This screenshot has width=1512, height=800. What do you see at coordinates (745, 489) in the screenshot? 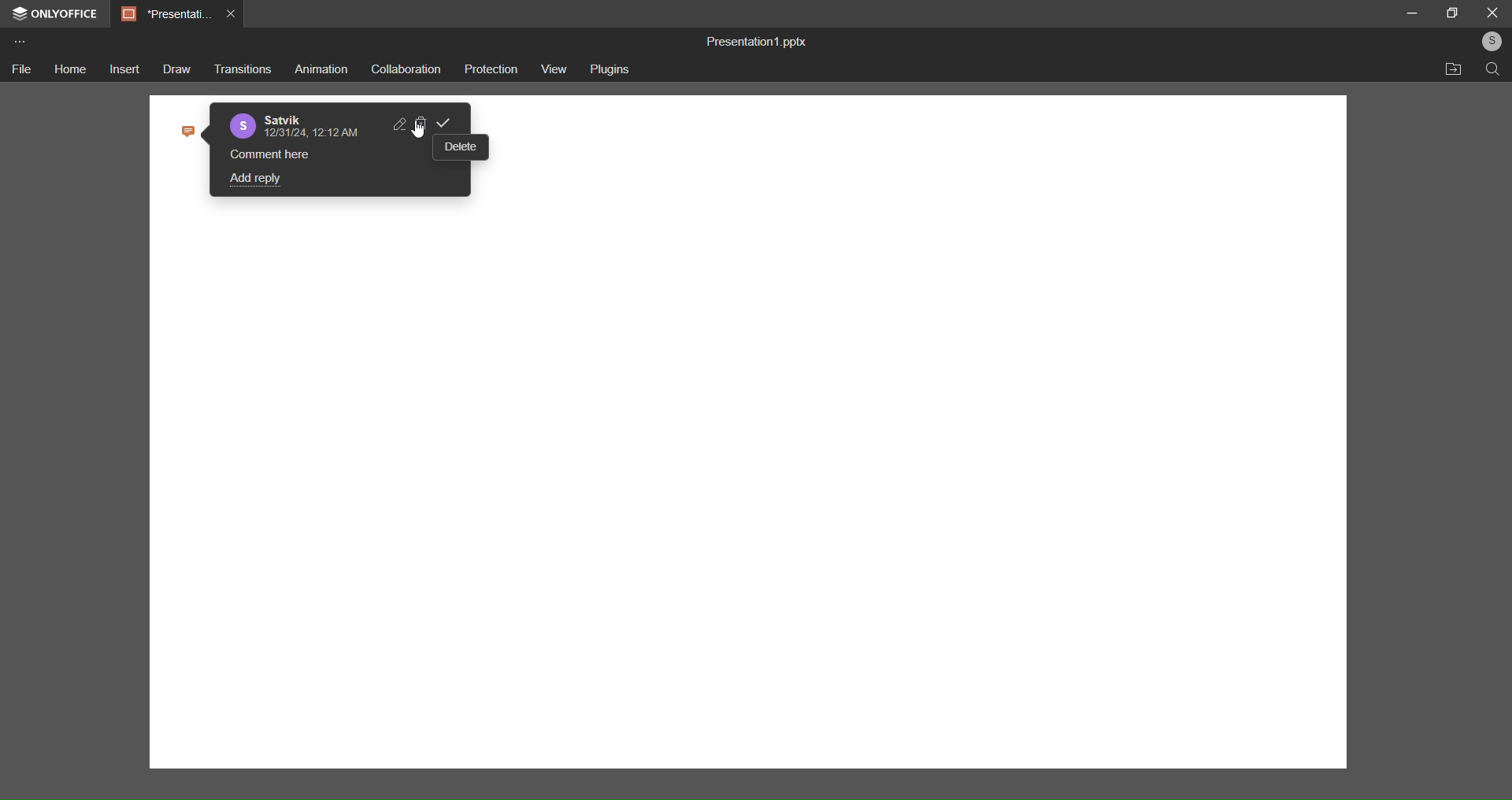
I see `canvas` at bounding box center [745, 489].